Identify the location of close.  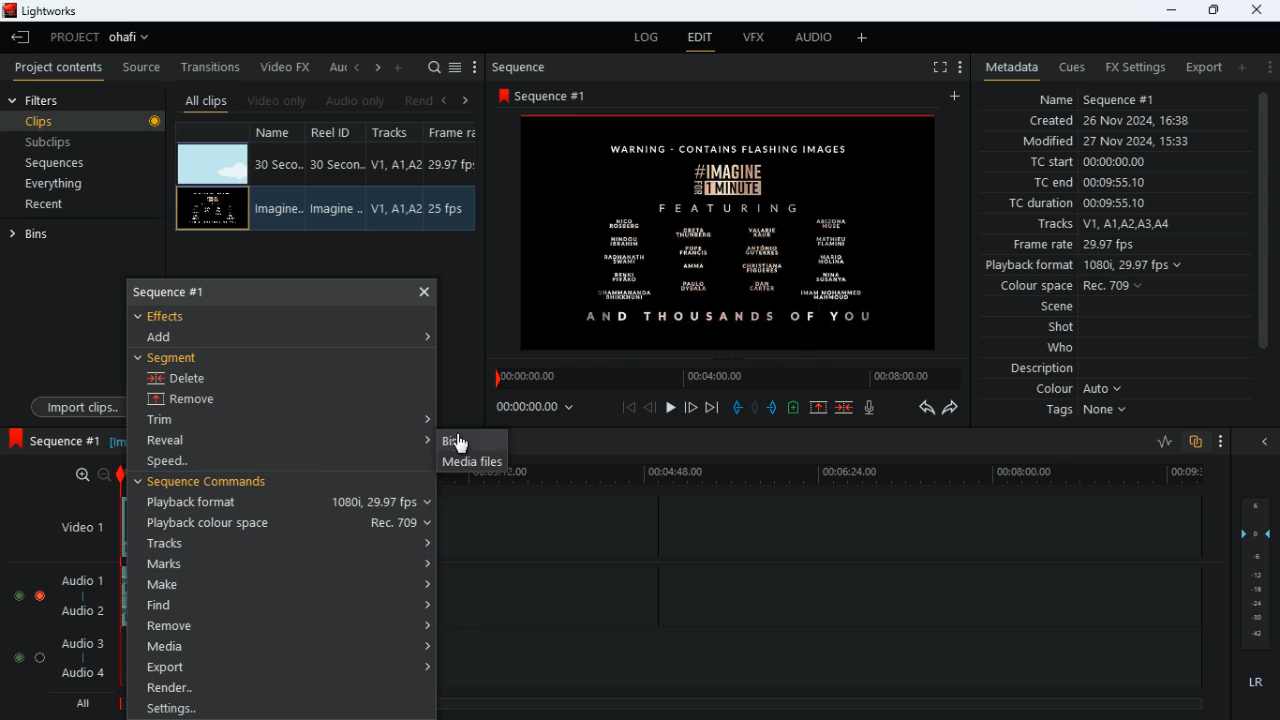
(1268, 442).